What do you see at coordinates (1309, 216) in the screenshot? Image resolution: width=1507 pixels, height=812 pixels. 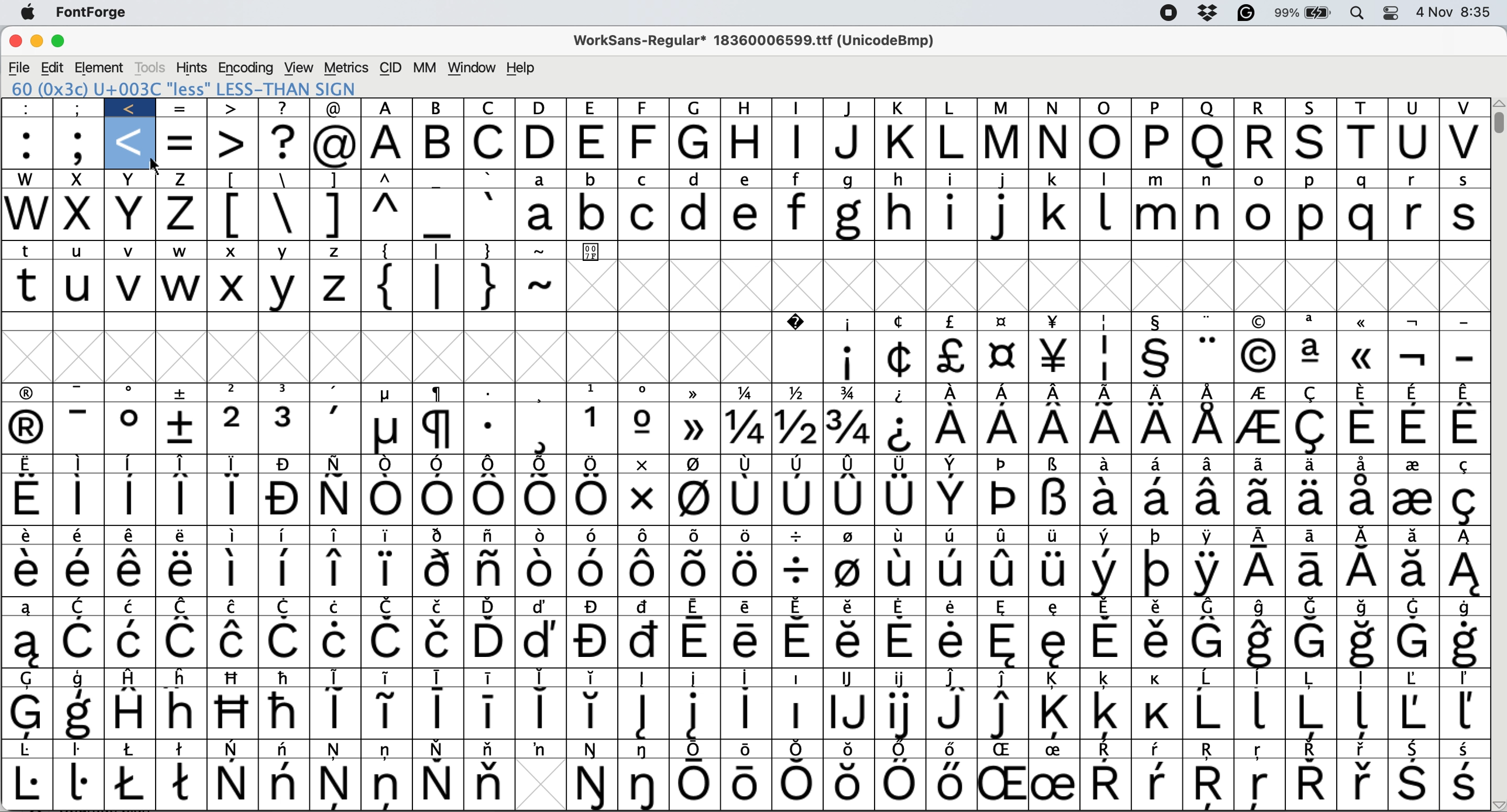 I see `p` at bounding box center [1309, 216].